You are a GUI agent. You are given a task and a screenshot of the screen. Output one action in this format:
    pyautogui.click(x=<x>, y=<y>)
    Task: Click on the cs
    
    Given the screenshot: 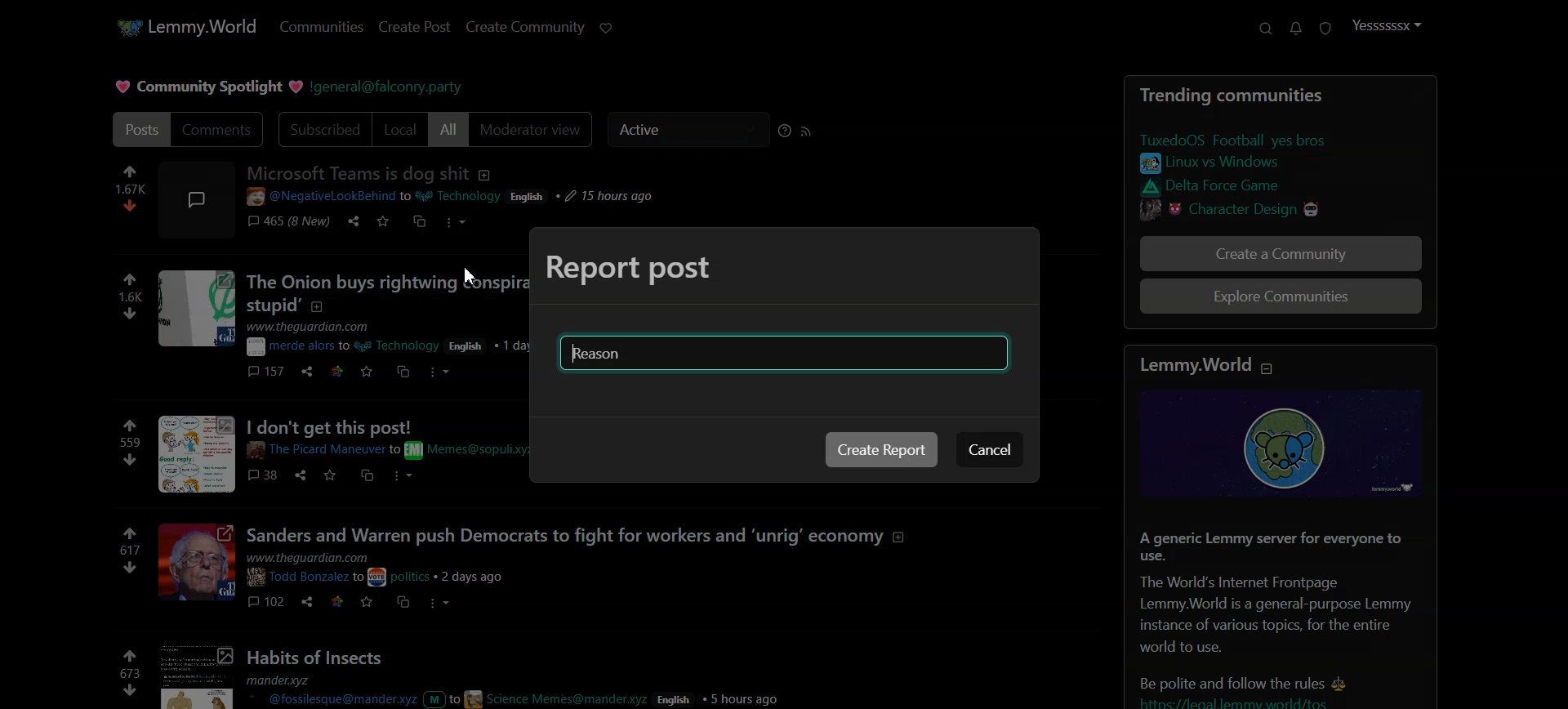 What is the action you would take?
    pyautogui.click(x=404, y=372)
    